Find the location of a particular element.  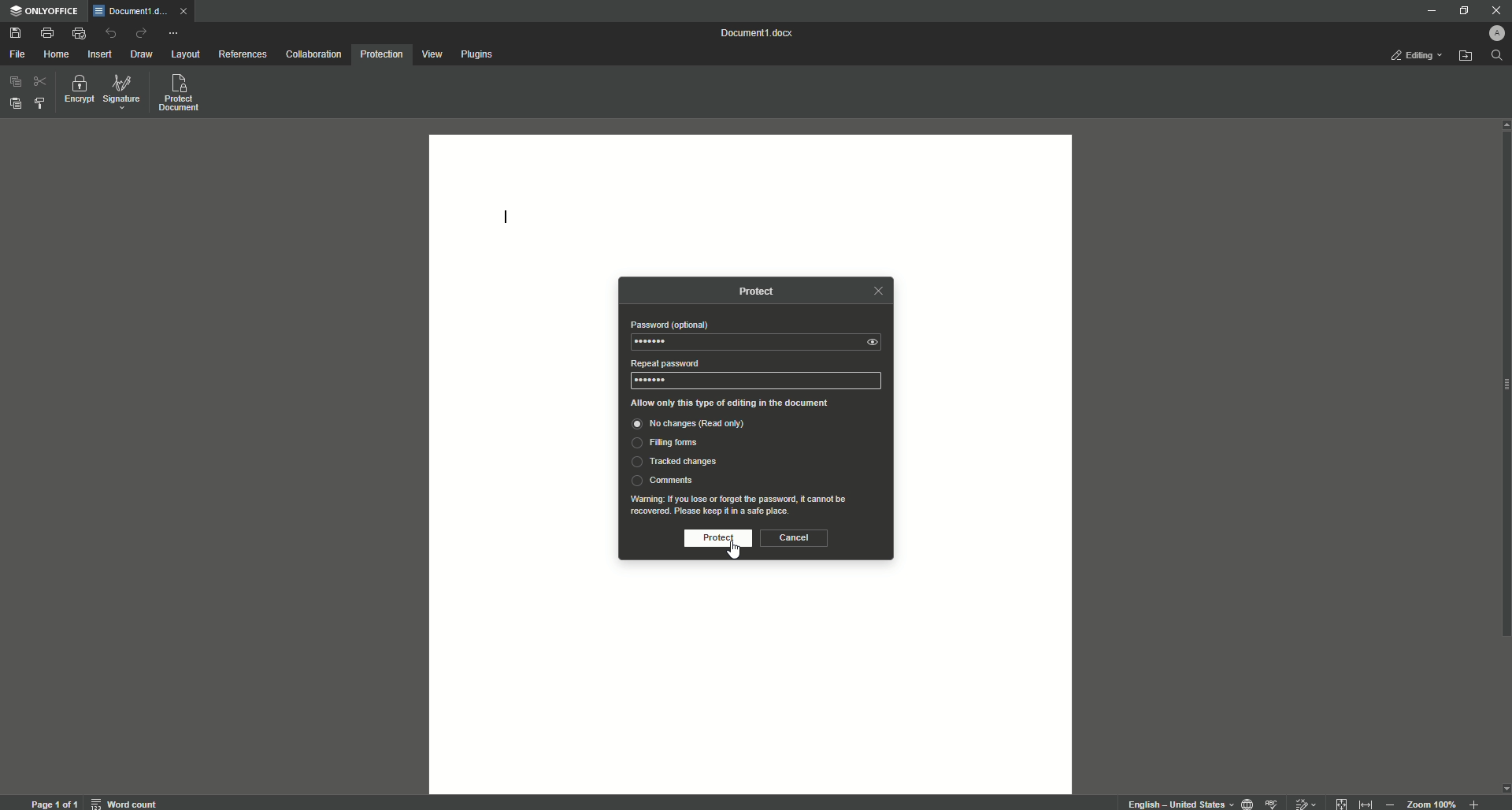

Minimize is located at coordinates (1429, 12).